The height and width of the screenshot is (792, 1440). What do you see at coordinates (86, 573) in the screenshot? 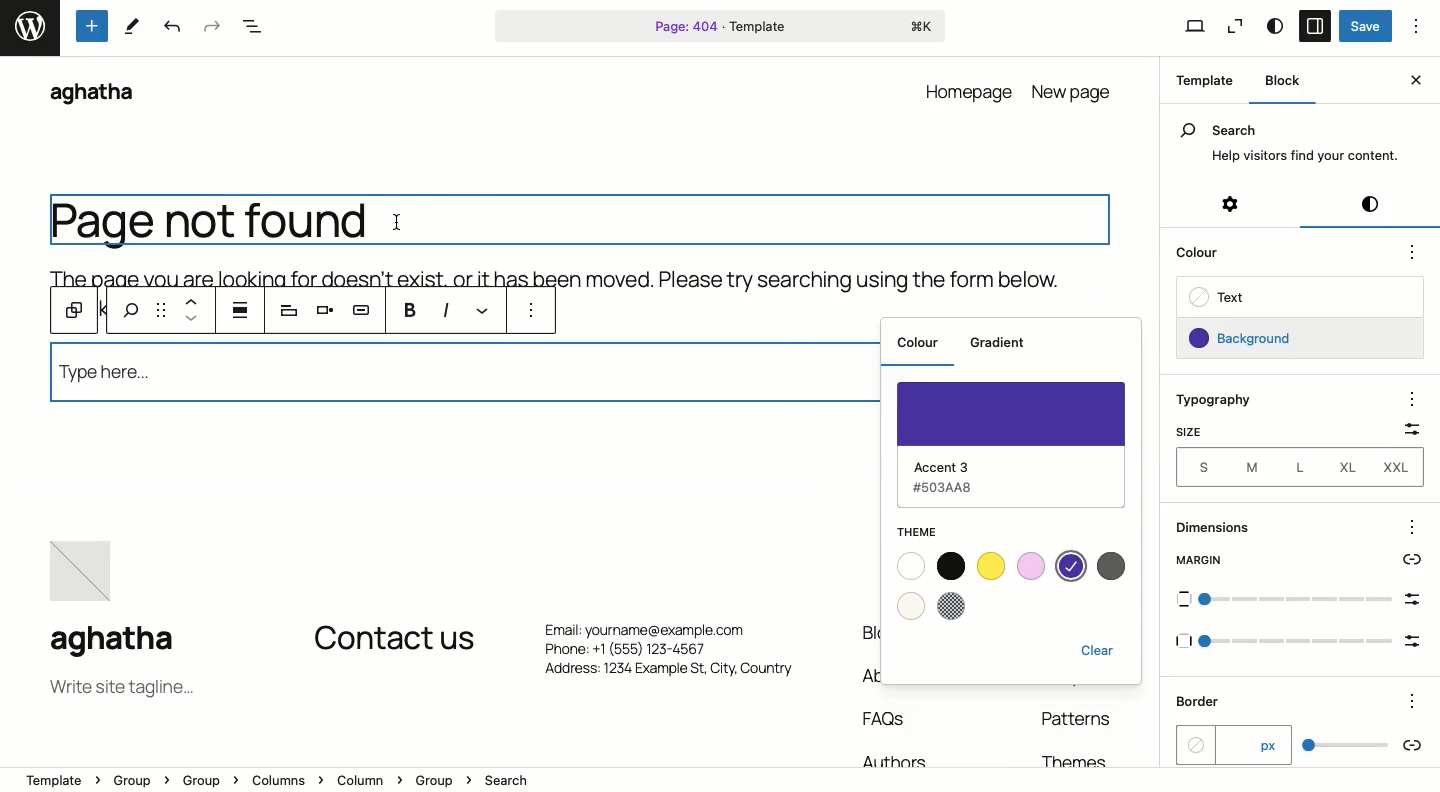
I see `image placeholder` at bounding box center [86, 573].